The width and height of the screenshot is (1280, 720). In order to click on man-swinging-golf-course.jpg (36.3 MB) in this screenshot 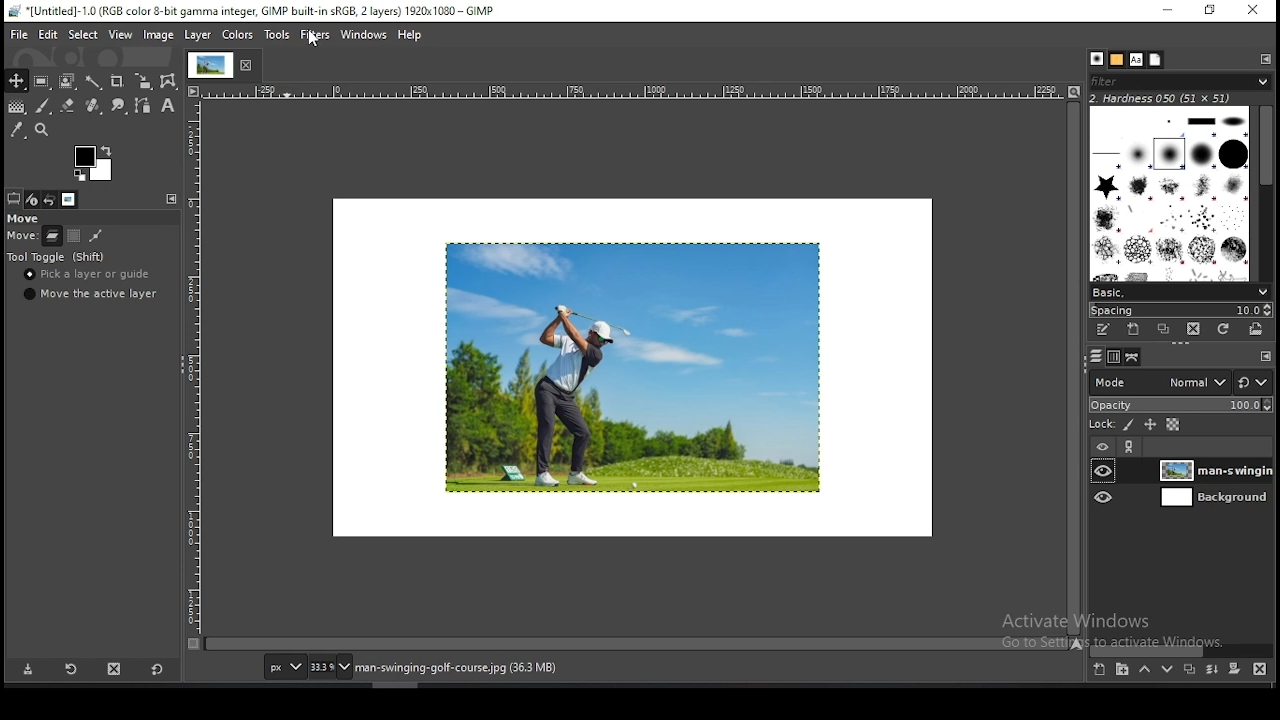, I will do `click(454, 668)`.